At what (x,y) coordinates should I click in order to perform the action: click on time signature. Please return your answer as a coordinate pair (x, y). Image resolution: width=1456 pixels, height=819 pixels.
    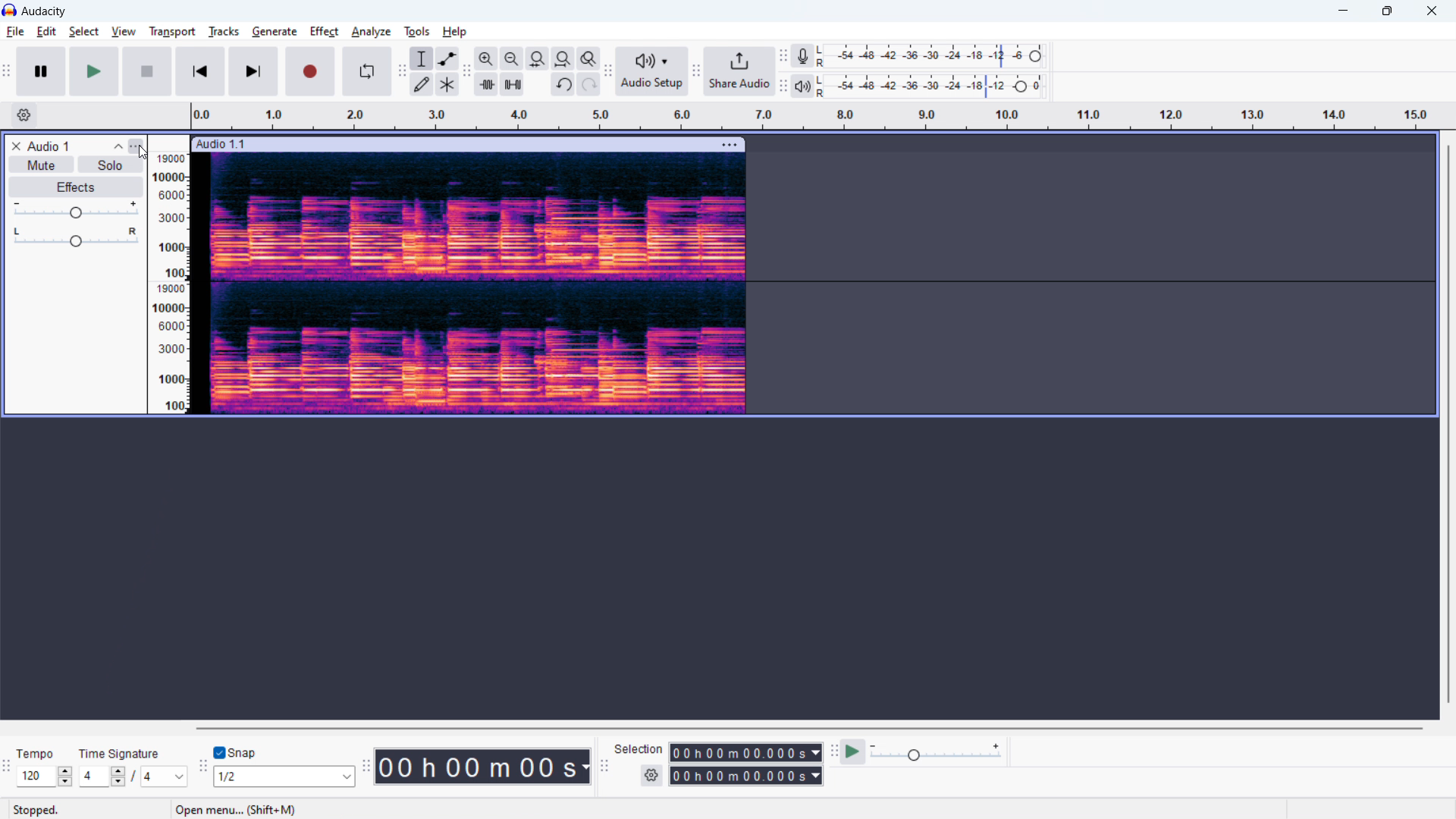
    Looking at the image, I should click on (119, 753).